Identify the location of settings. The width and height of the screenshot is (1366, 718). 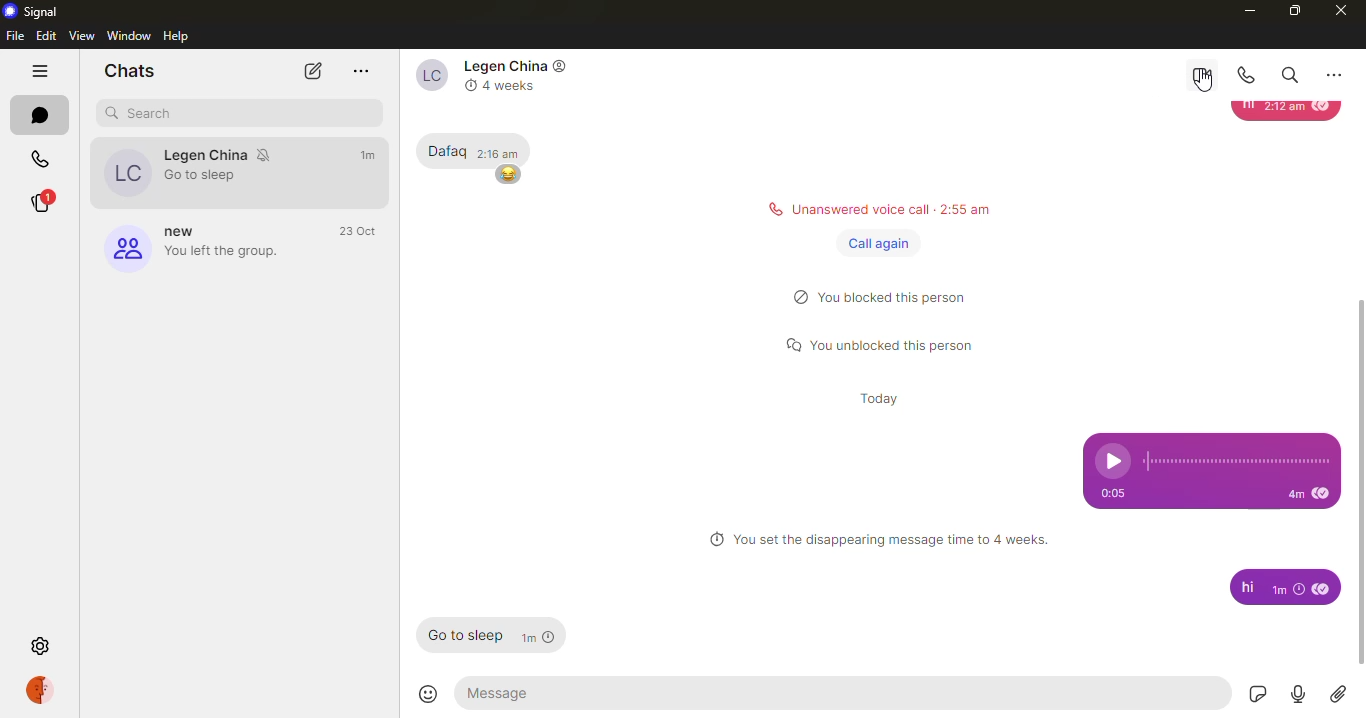
(41, 646).